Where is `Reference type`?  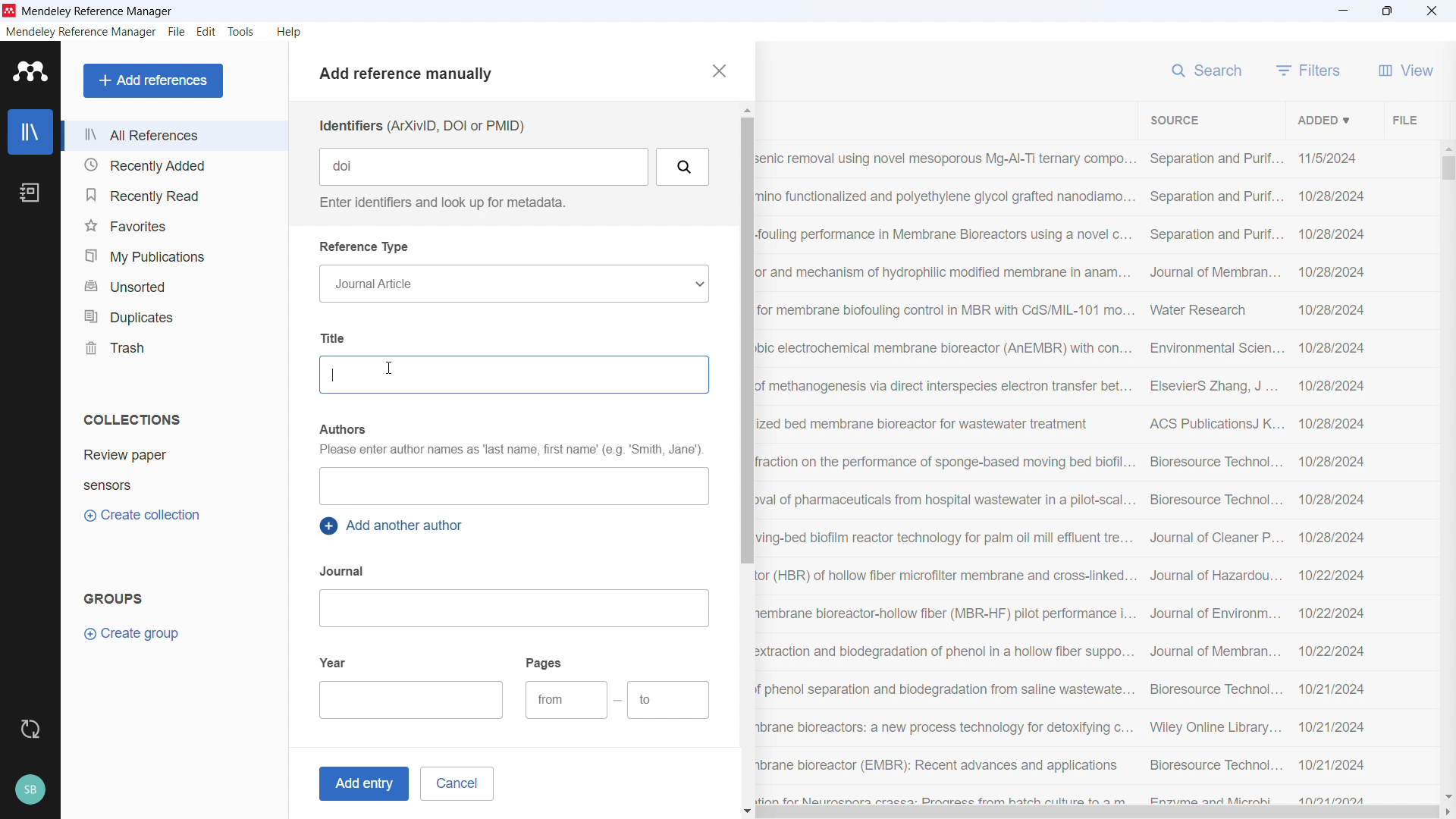
Reference type is located at coordinates (366, 247).